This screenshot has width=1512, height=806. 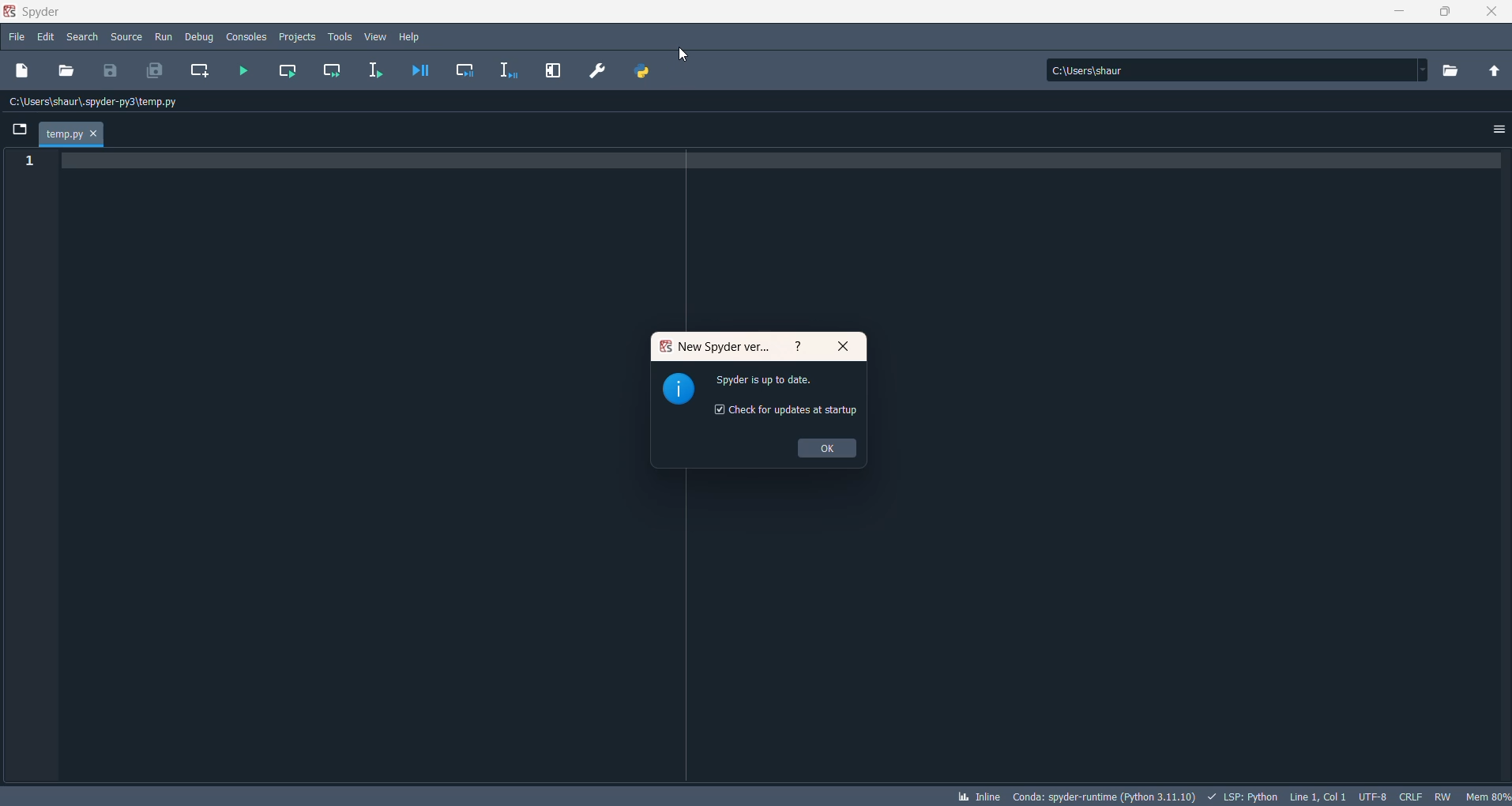 What do you see at coordinates (1101, 796) in the screenshot?
I see `SPYDER VERSION` at bounding box center [1101, 796].